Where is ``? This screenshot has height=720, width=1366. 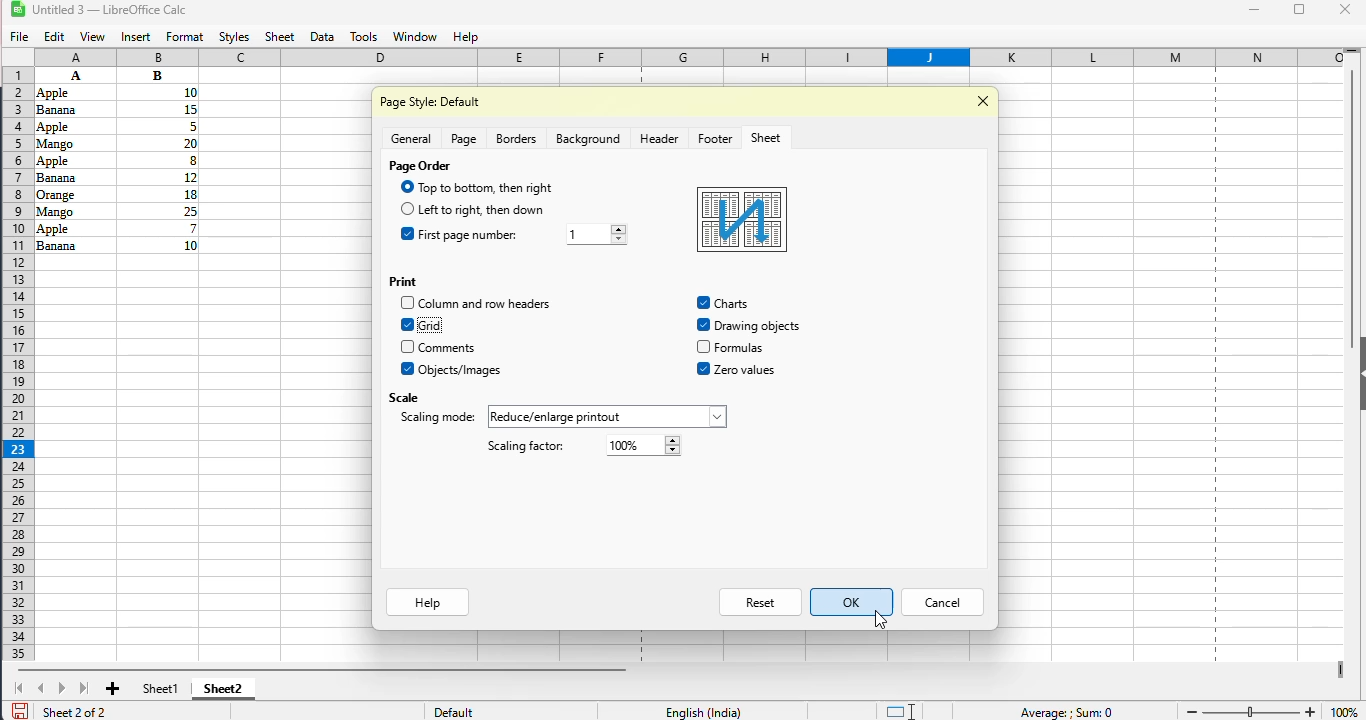  is located at coordinates (158, 75).